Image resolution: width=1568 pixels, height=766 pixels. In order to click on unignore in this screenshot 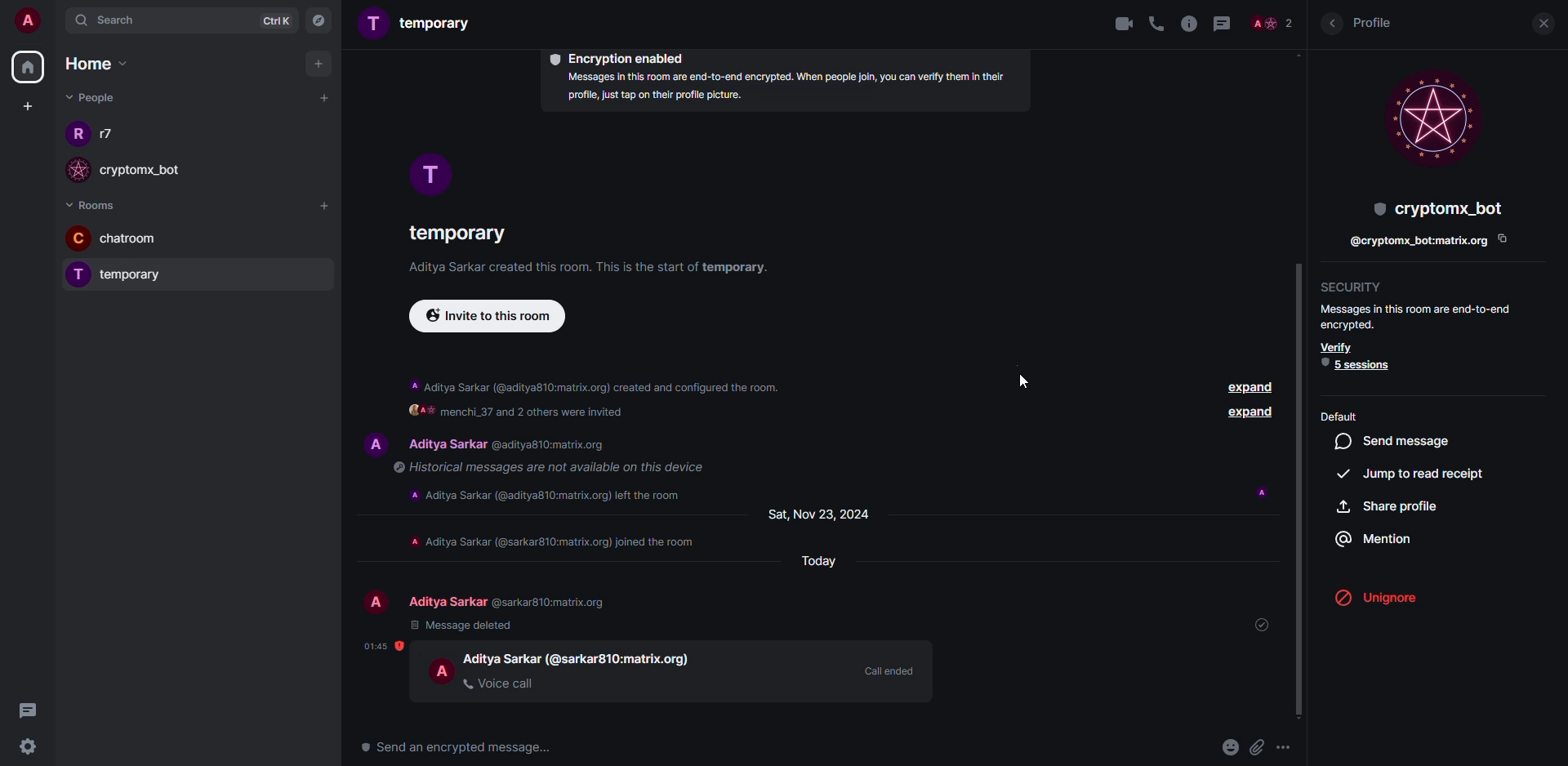, I will do `click(1385, 598)`.